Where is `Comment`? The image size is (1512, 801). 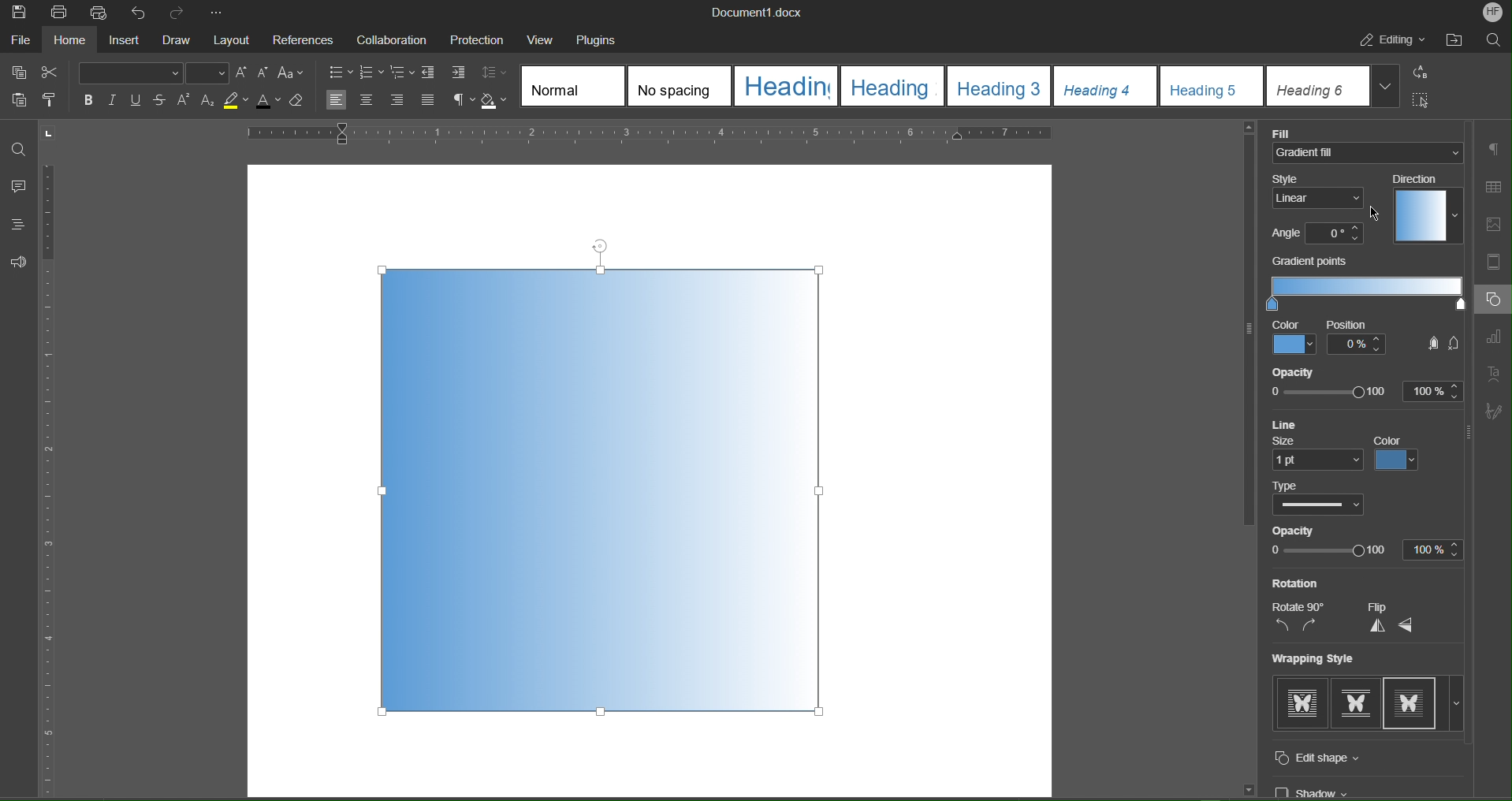 Comment is located at coordinates (18, 185).